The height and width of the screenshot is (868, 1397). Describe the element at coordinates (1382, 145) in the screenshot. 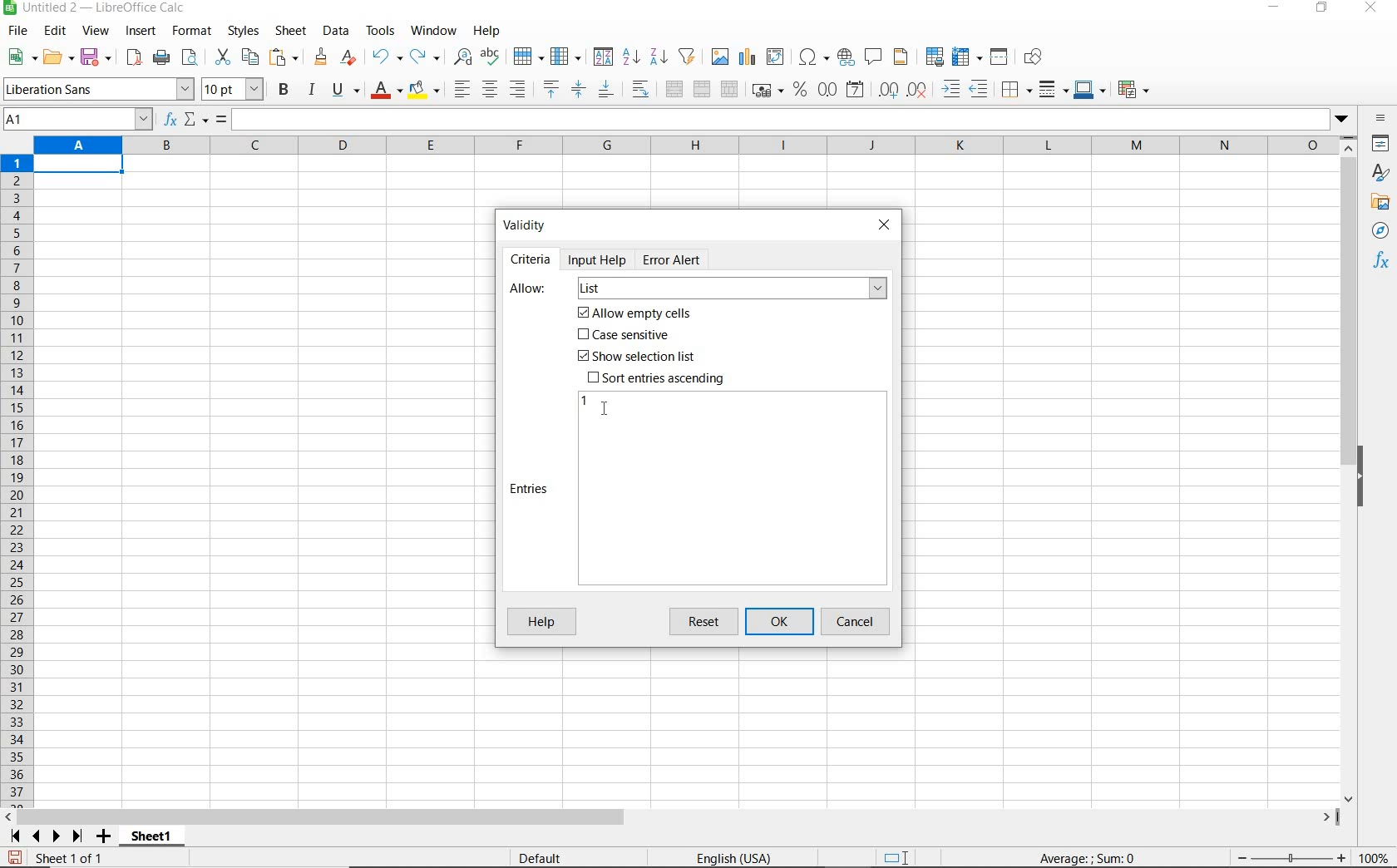

I see `properties` at that location.